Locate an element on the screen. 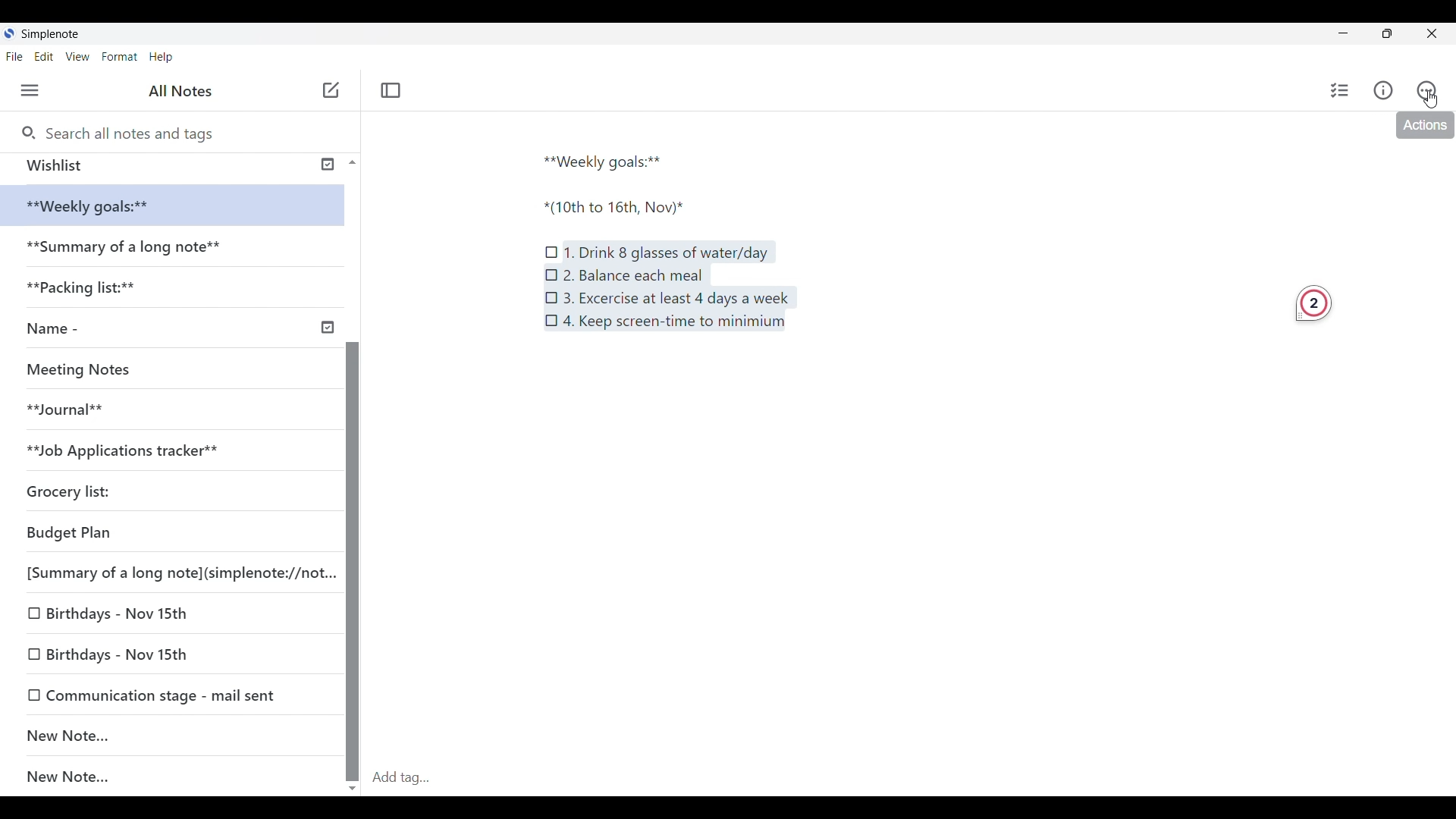 This screenshot has height=819, width=1456. Help is located at coordinates (162, 58).